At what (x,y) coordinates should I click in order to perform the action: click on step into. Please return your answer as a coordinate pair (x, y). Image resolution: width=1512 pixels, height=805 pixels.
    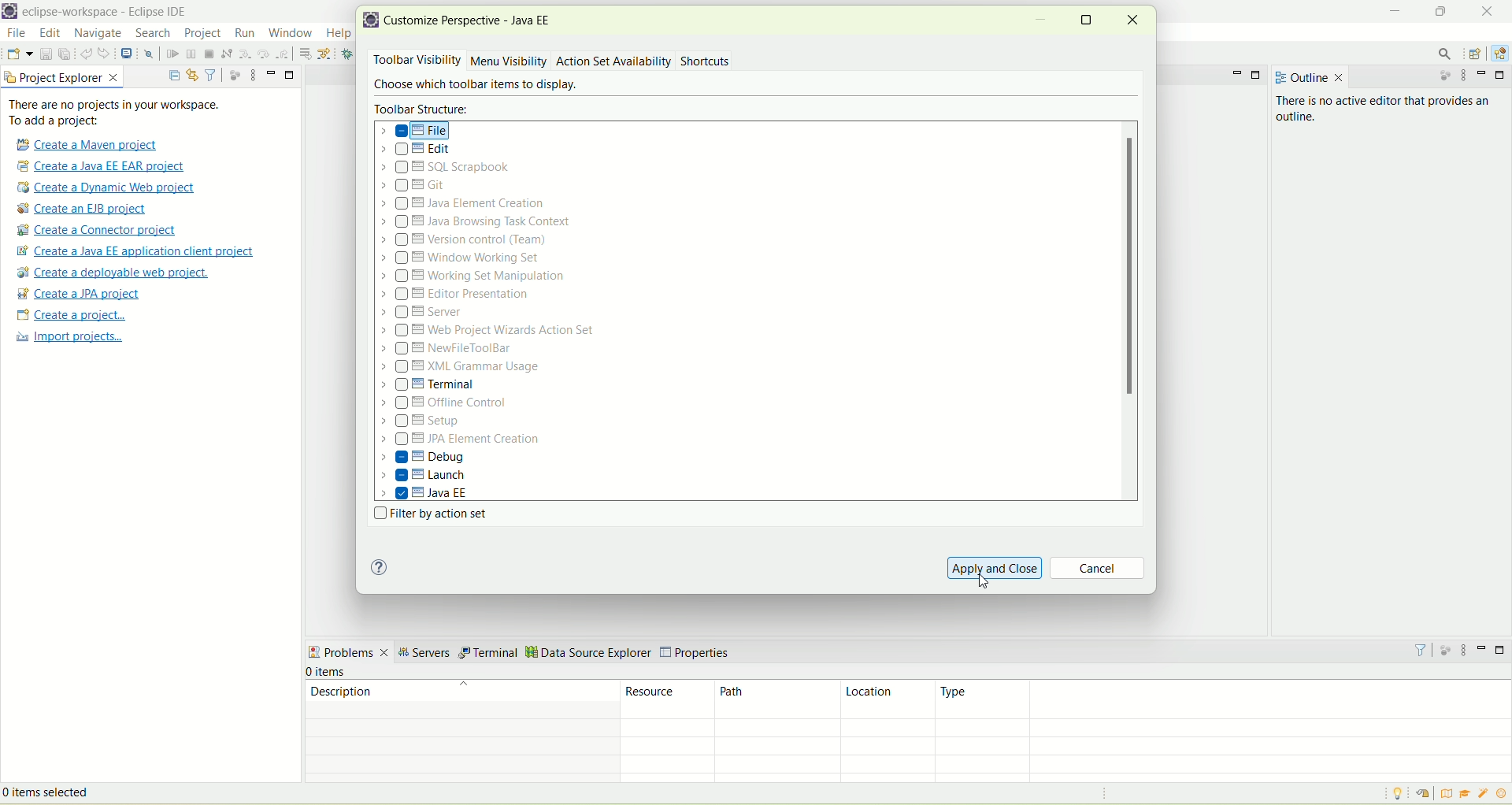
    Looking at the image, I should click on (246, 56).